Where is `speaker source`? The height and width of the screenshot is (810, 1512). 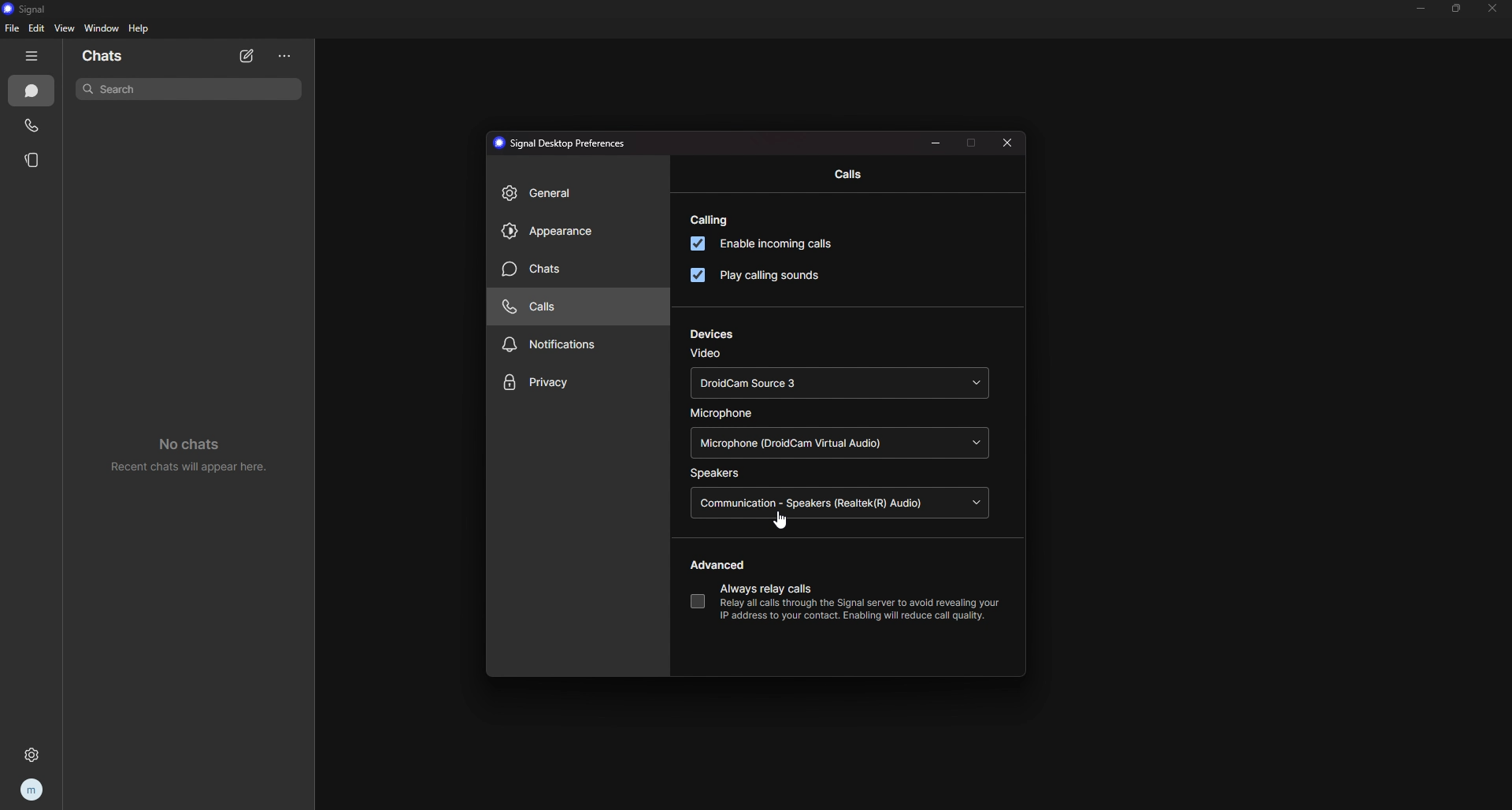 speaker source is located at coordinates (842, 502).